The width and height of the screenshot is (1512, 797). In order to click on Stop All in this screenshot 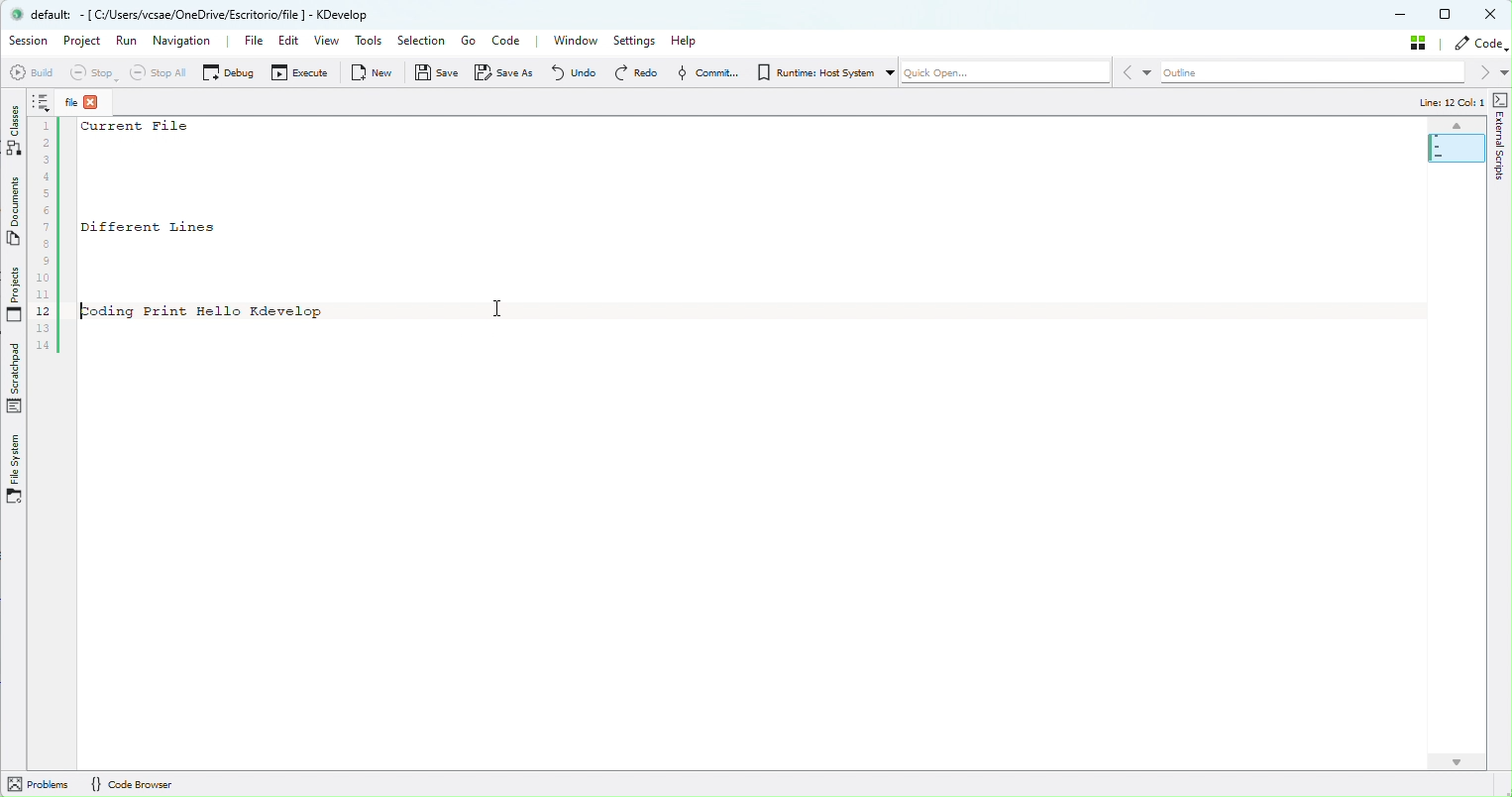, I will do `click(157, 74)`.